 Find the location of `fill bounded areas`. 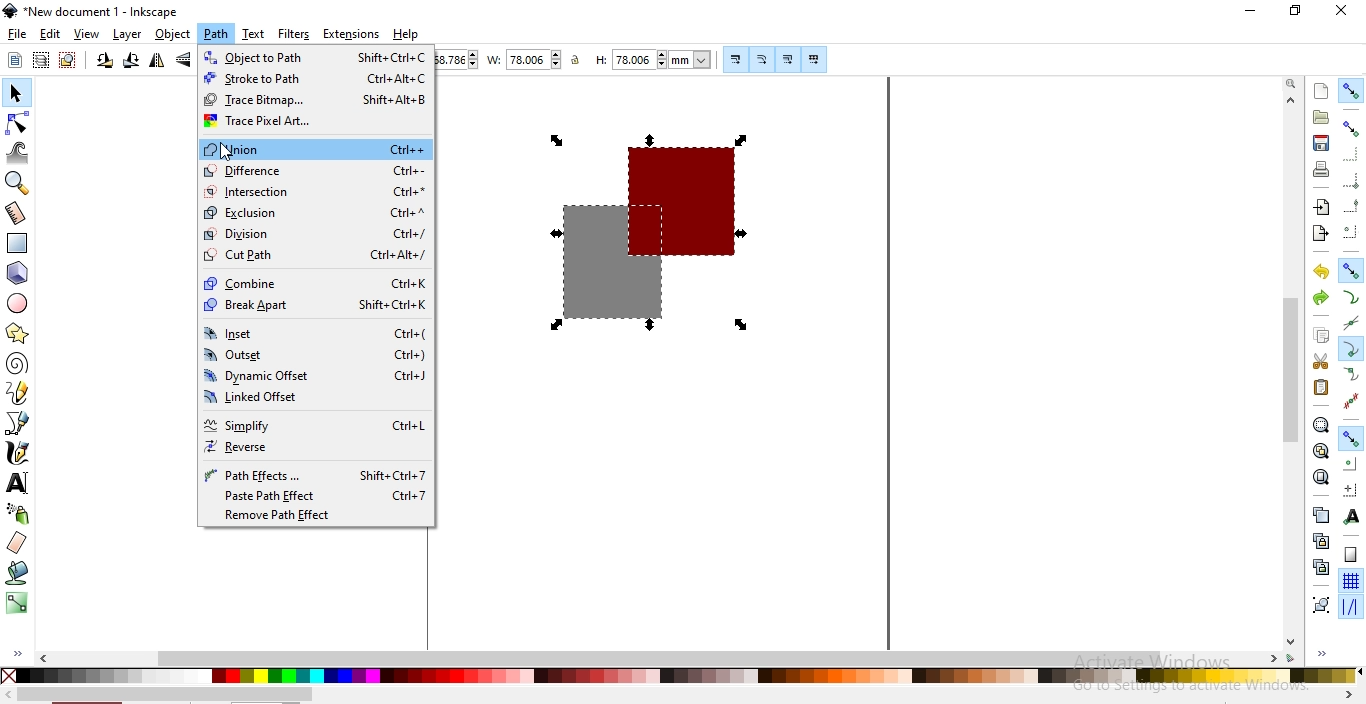

fill bounded areas is located at coordinates (19, 572).